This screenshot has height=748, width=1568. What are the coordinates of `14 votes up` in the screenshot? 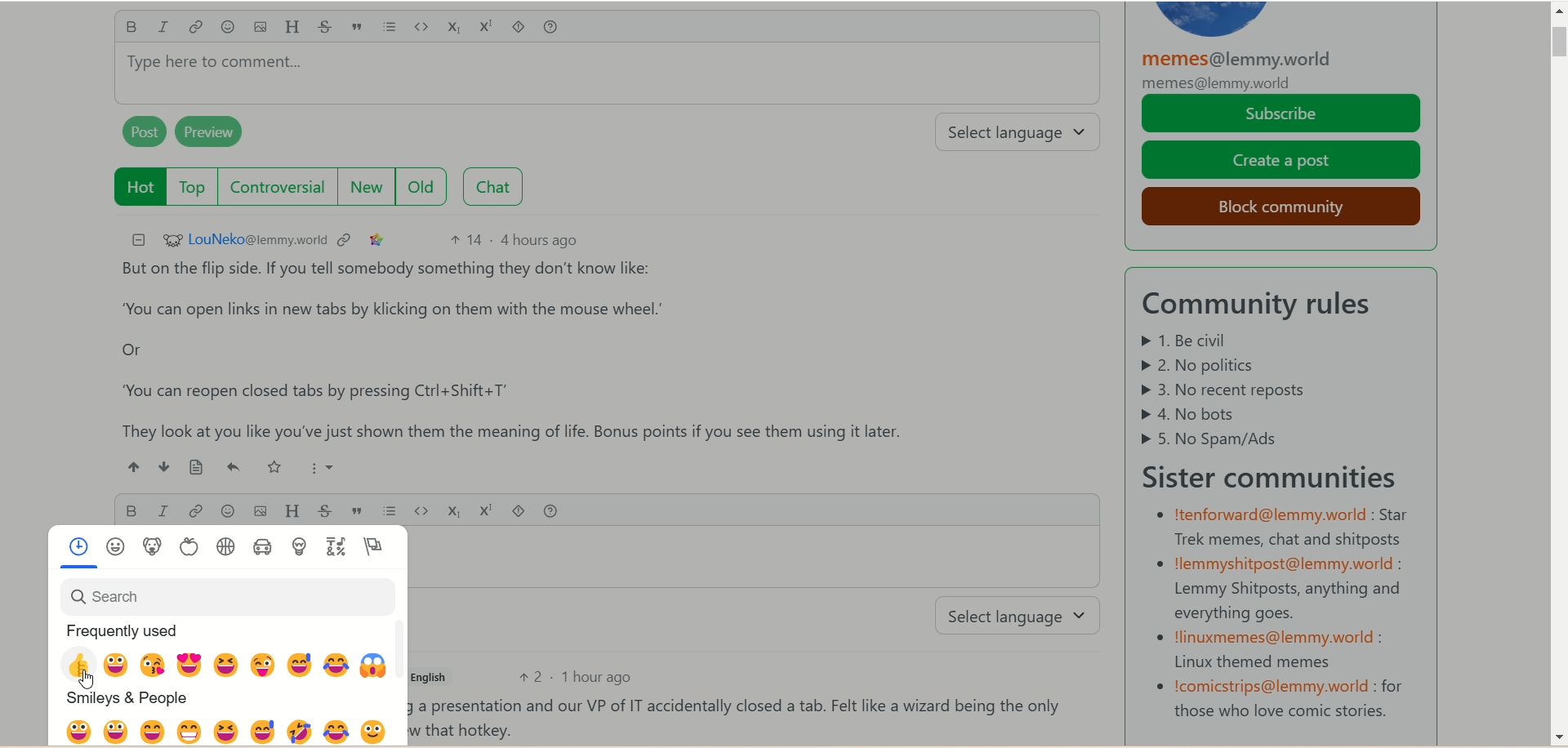 It's located at (465, 240).